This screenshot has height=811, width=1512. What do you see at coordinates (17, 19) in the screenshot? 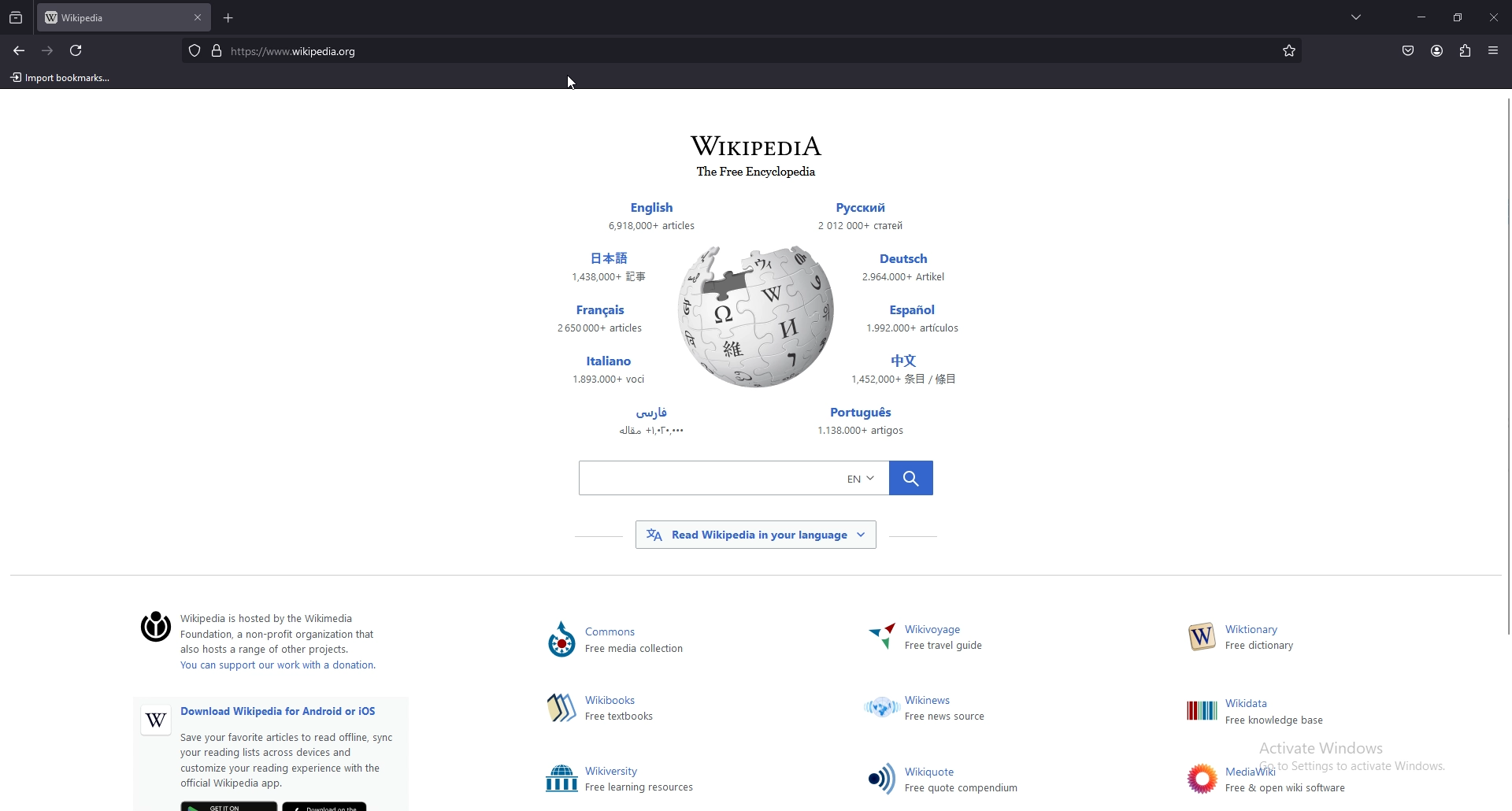
I see `recent browsing` at bounding box center [17, 19].